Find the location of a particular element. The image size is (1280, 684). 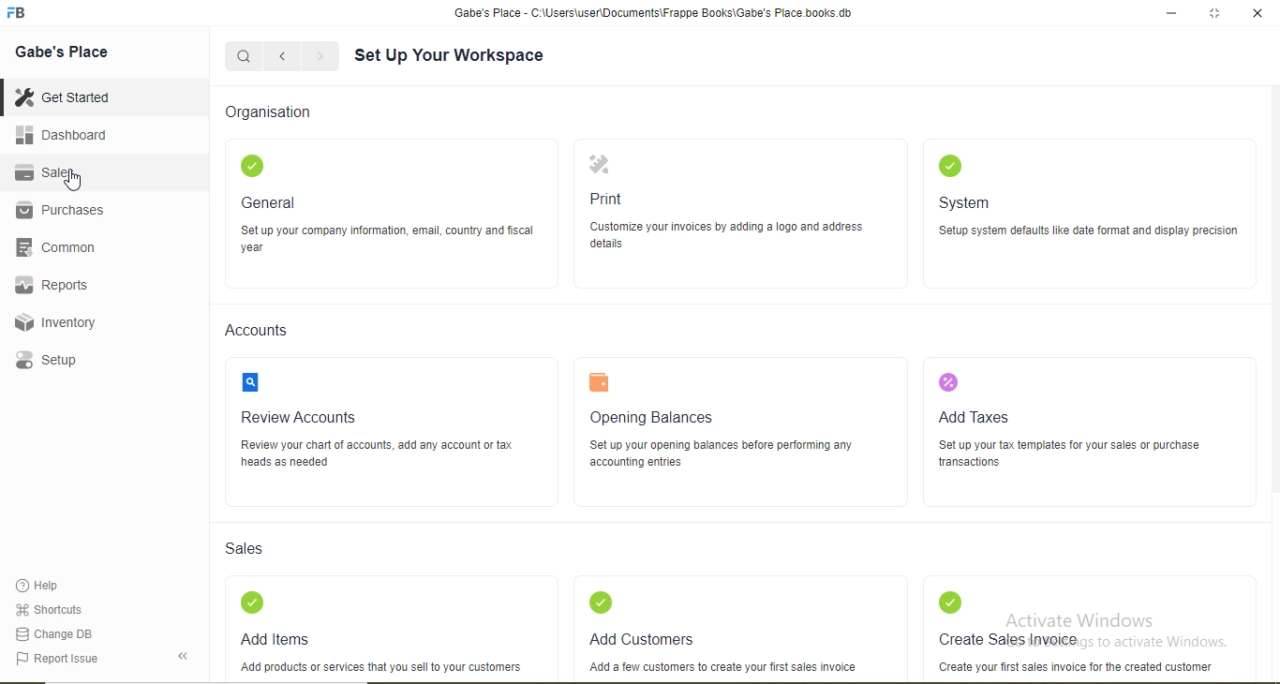

Review your chart of accounts, add any account of tax
heads as nesded is located at coordinates (381, 454).